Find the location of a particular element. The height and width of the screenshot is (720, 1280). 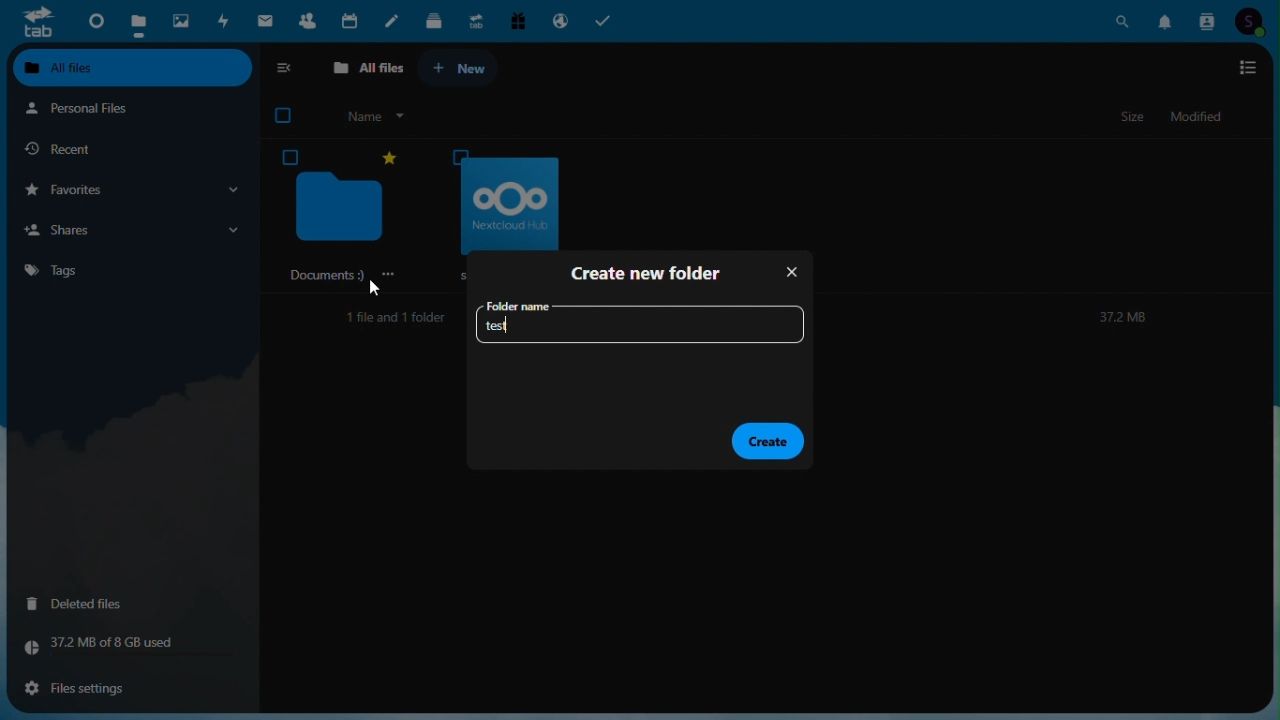

Create is located at coordinates (770, 442).